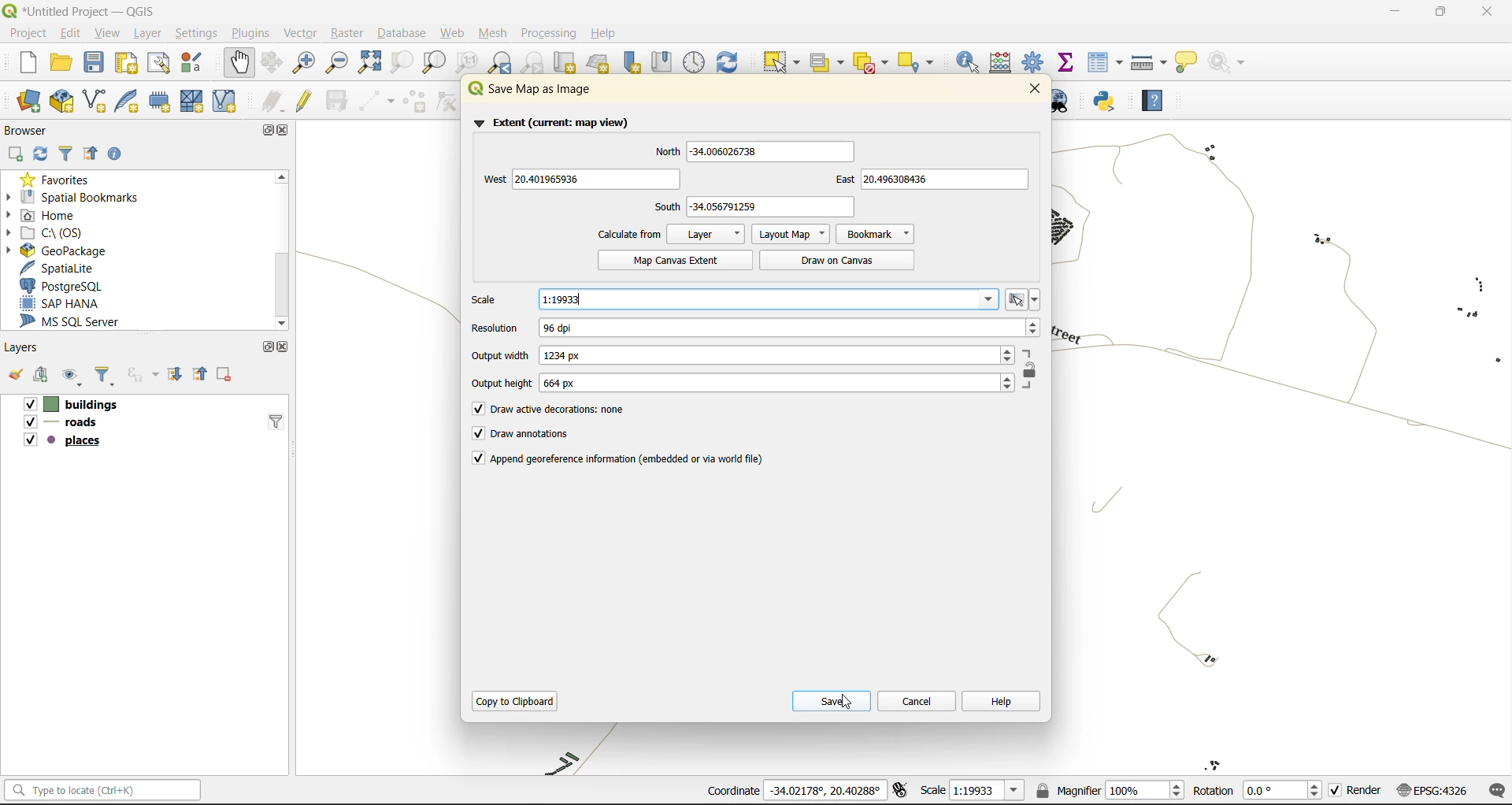  What do you see at coordinates (931, 180) in the screenshot?
I see `east` at bounding box center [931, 180].